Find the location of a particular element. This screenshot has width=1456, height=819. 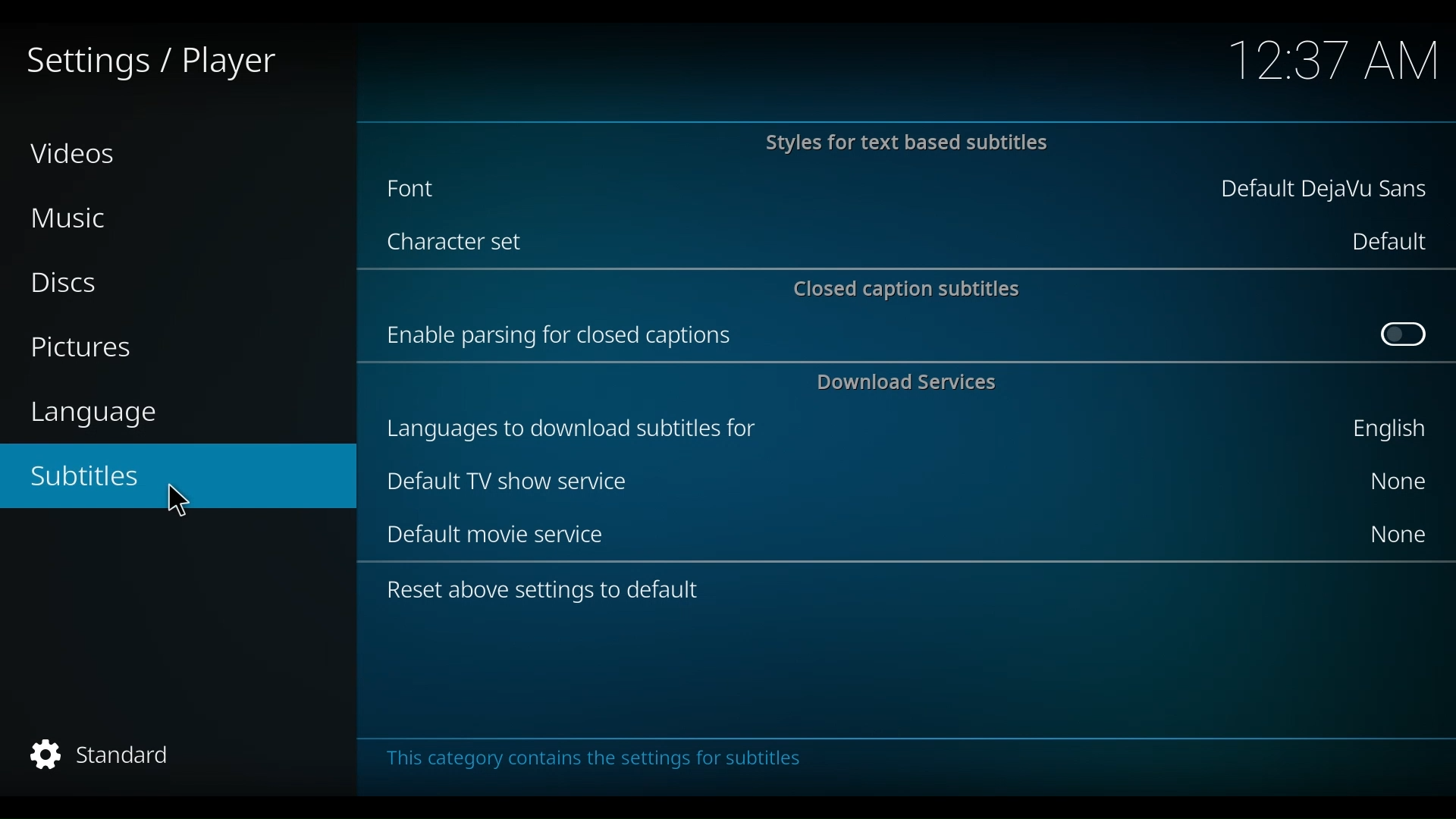

This category contains settings for subtitles is located at coordinates (607, 761).